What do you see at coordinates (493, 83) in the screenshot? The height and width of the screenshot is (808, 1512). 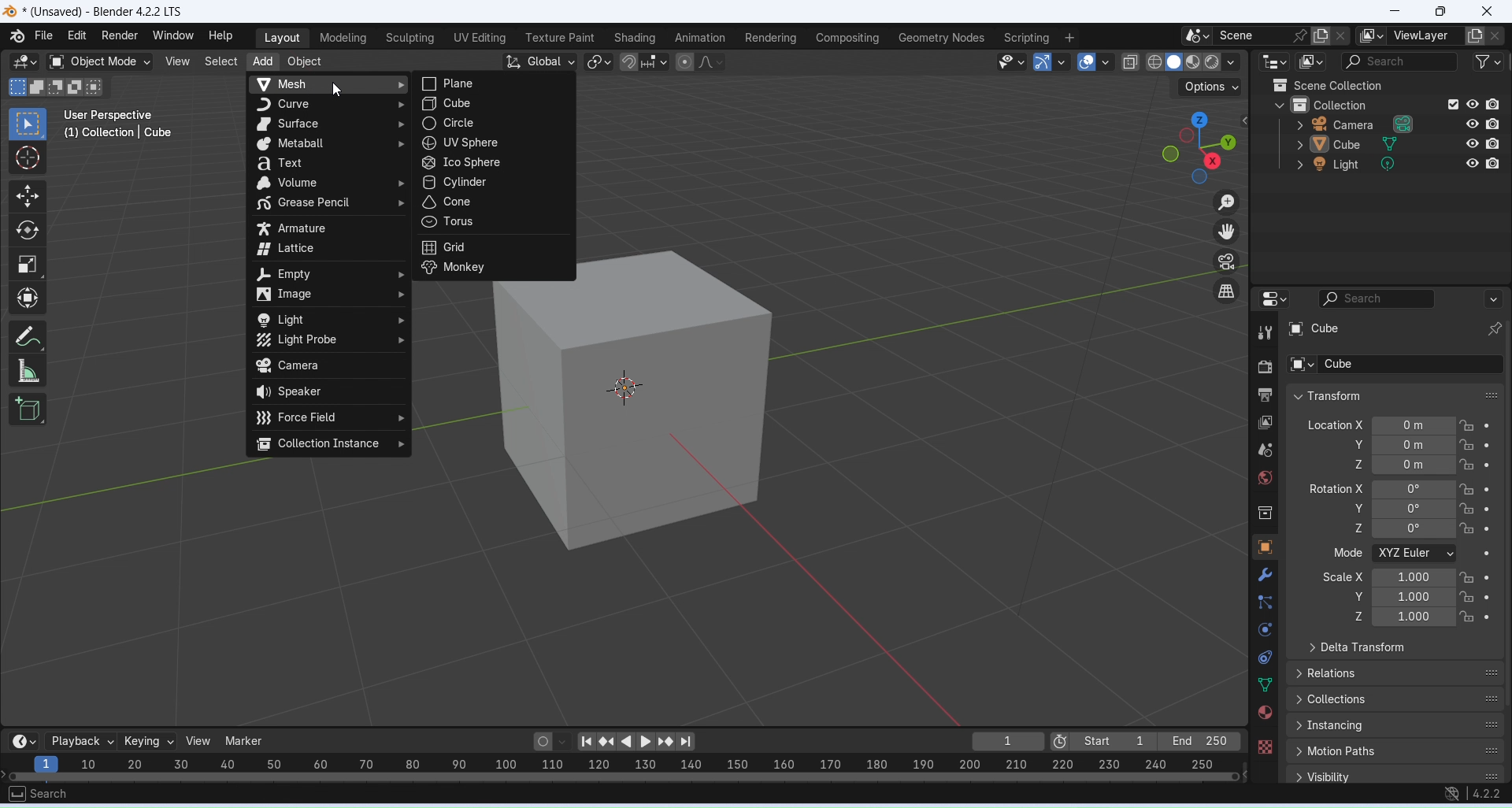 I see `plane` at bounding box center [493, 83].